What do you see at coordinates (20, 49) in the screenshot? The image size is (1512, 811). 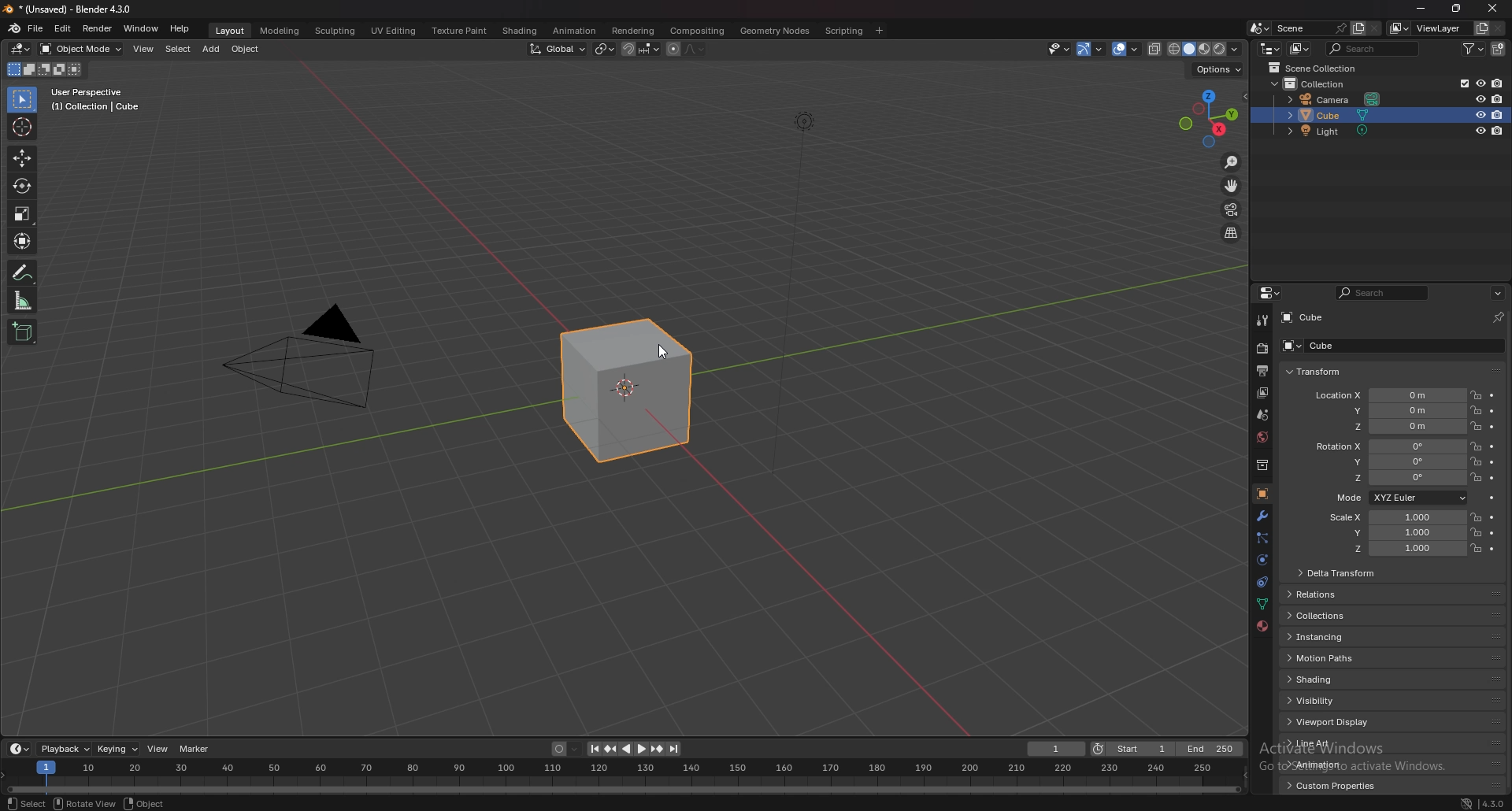 I see `editor type` at bounding box center [20, 49].